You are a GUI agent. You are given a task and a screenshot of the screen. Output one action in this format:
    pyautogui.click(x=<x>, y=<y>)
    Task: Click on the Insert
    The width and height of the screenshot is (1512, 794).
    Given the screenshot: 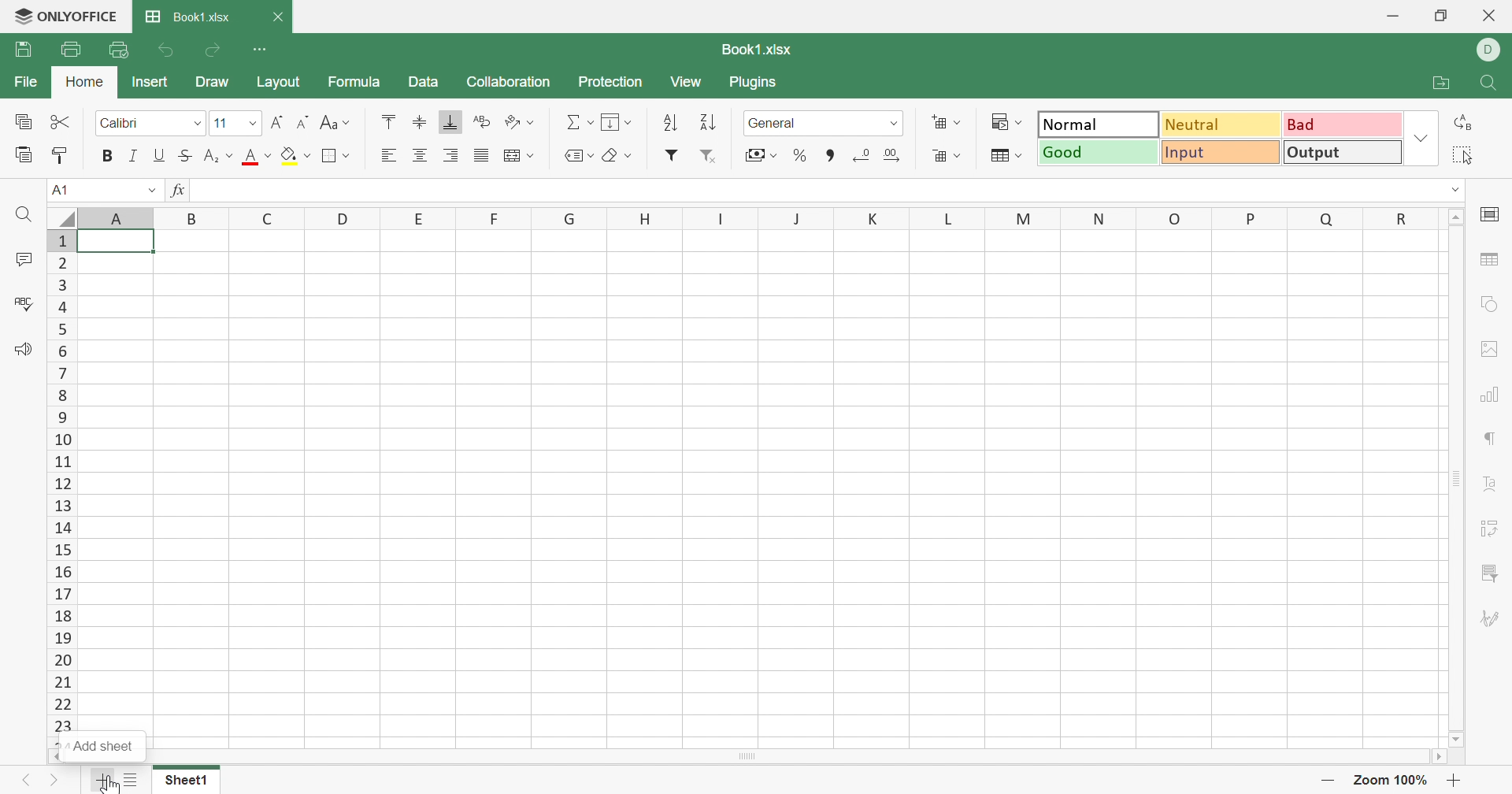 What is the action you would take?
    pyautogui.click(x=150, y=82)
    